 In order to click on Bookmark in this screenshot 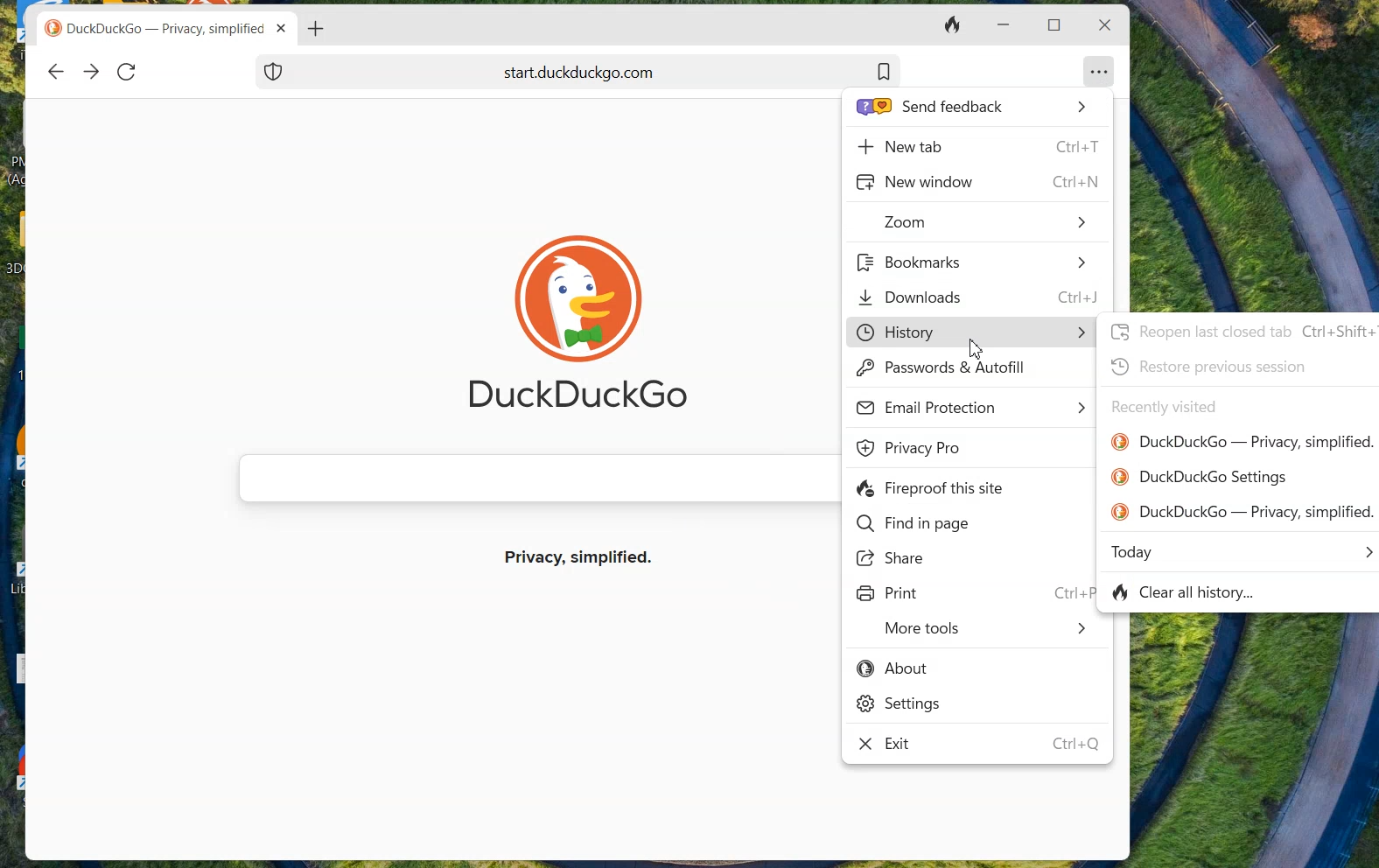, I will do `click(884, 71)`.